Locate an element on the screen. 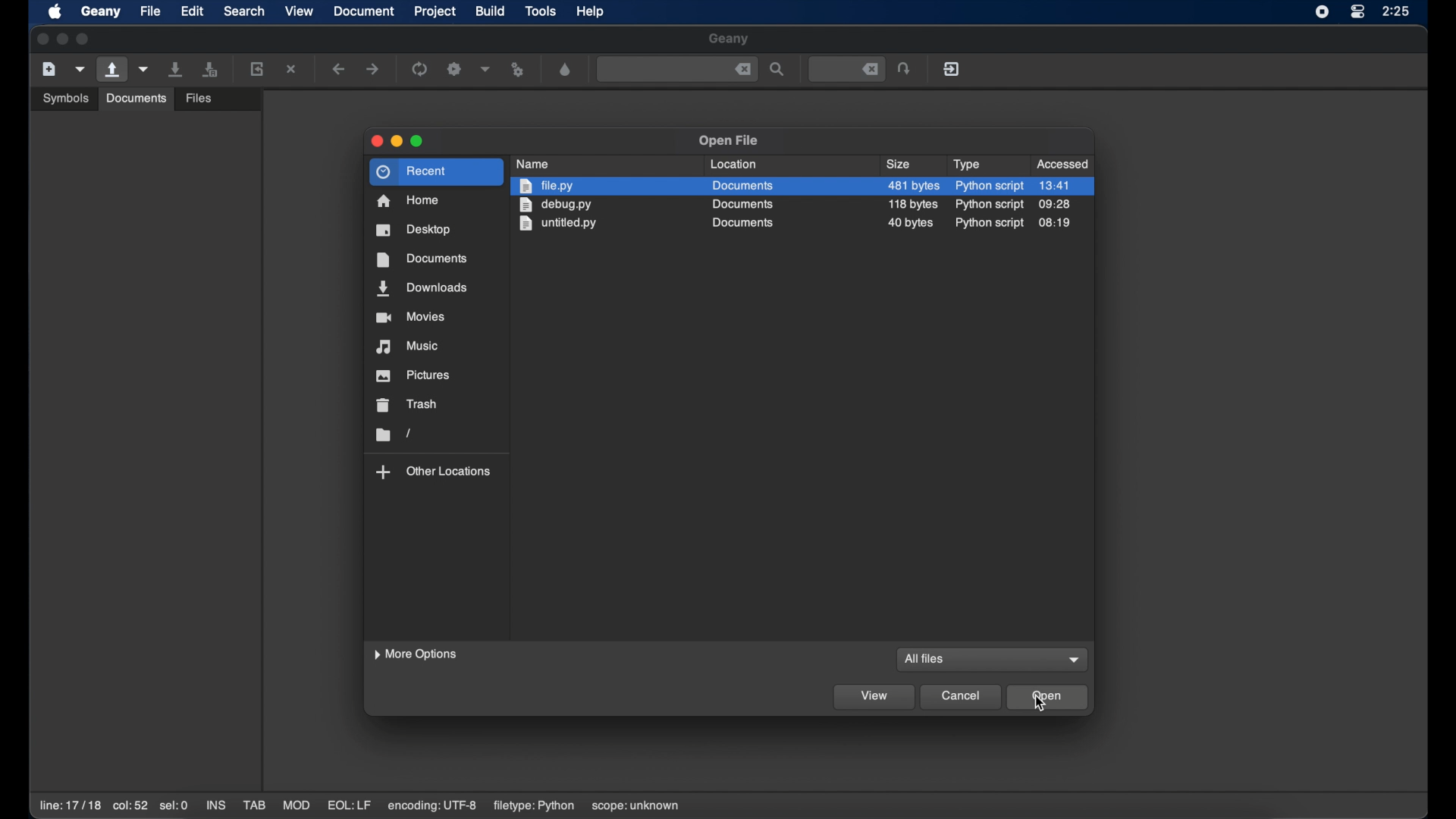 The image size is (1456, 819). 13.41 is located at coordinates (1056, 184).